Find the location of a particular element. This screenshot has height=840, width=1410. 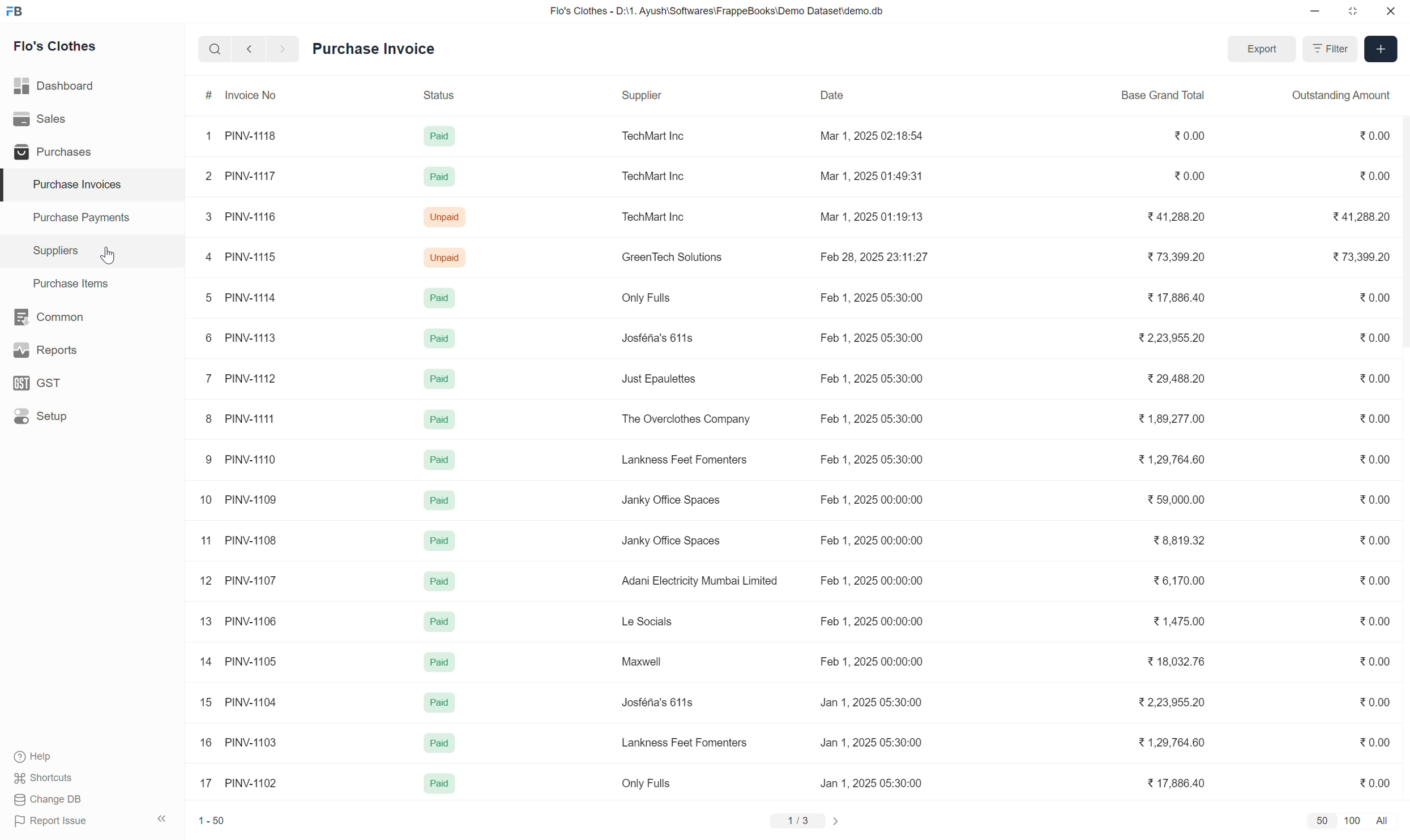

Lankness Feet Fomenters is located at coordinates (683, 460).